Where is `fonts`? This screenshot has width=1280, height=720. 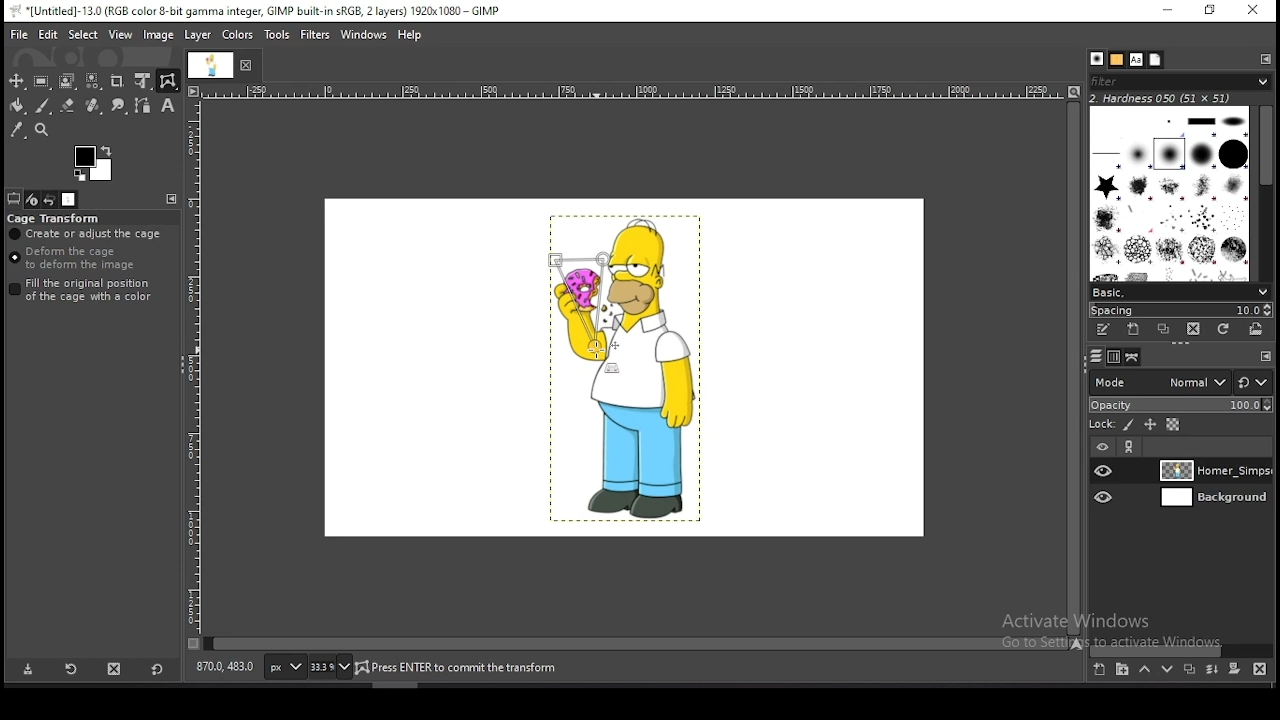
fonts is located at coordinates (1135, 59).